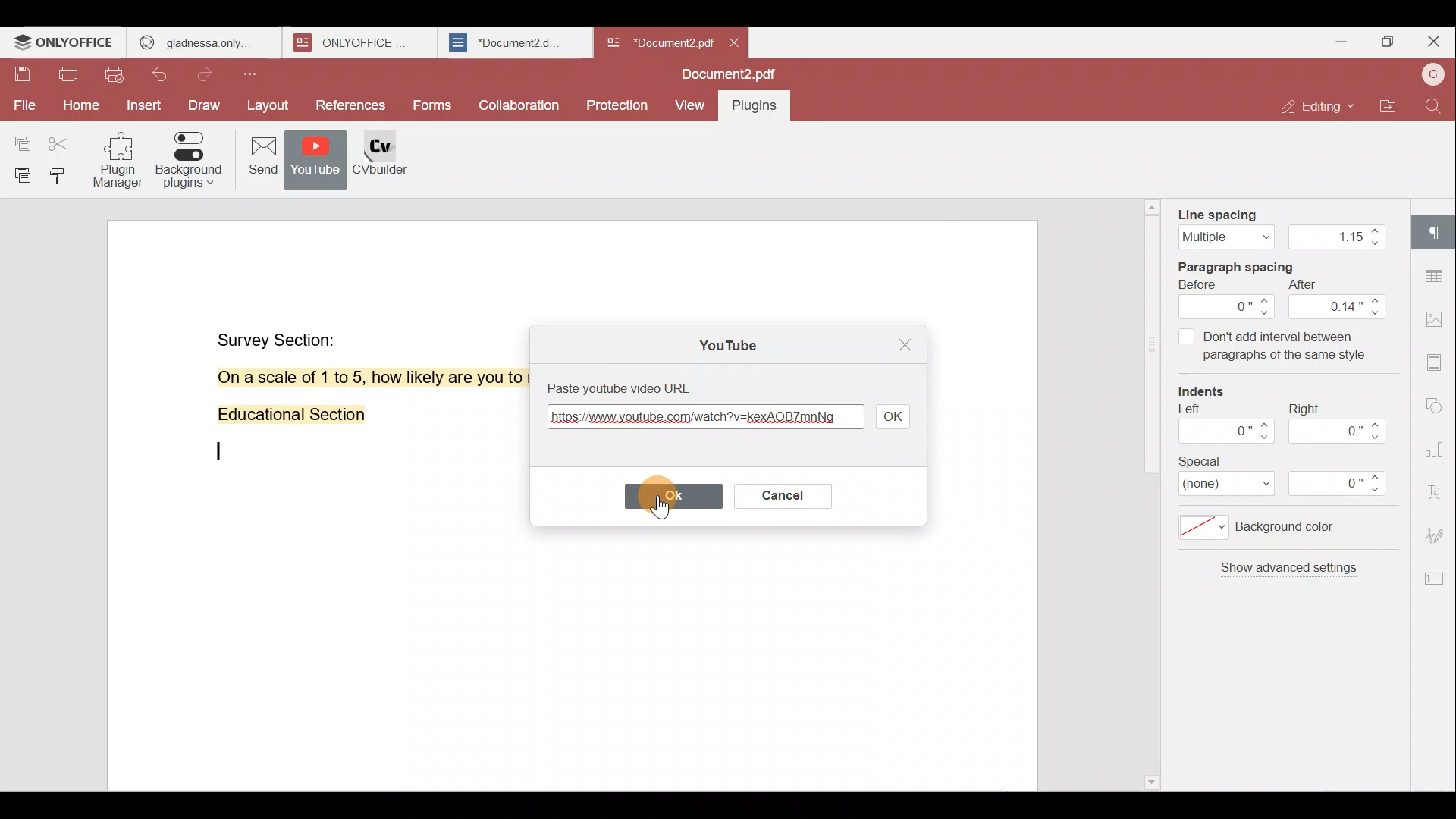 This screenshot has height=819, width=1456. I want to click on ONLYOFFICE, so click(65, 42).